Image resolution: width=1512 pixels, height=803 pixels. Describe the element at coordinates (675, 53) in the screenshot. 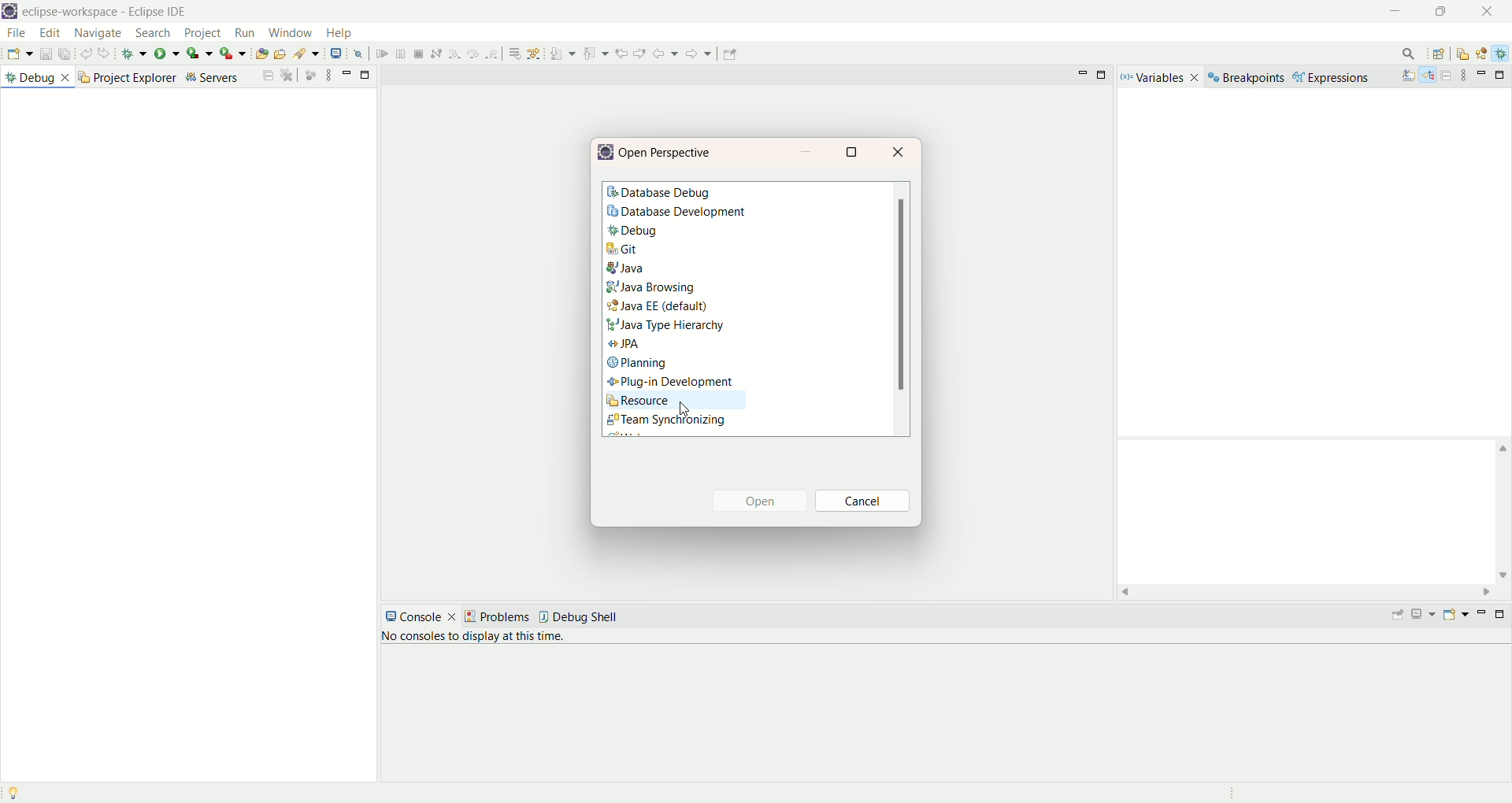

I see `next annotation` at that location.